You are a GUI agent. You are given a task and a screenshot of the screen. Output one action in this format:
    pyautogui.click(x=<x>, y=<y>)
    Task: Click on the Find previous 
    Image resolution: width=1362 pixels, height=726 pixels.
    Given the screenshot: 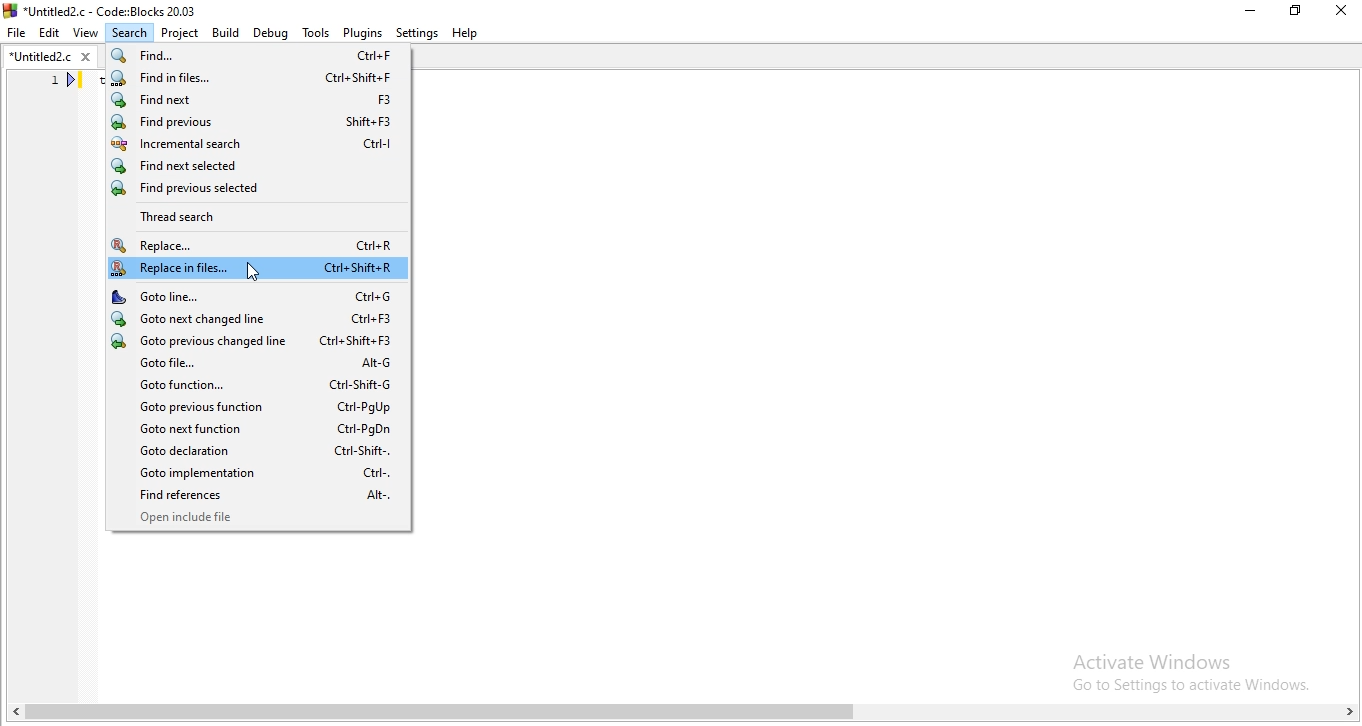 What is the action you would take?
    pyautogui.click(x=256, y=188)
    